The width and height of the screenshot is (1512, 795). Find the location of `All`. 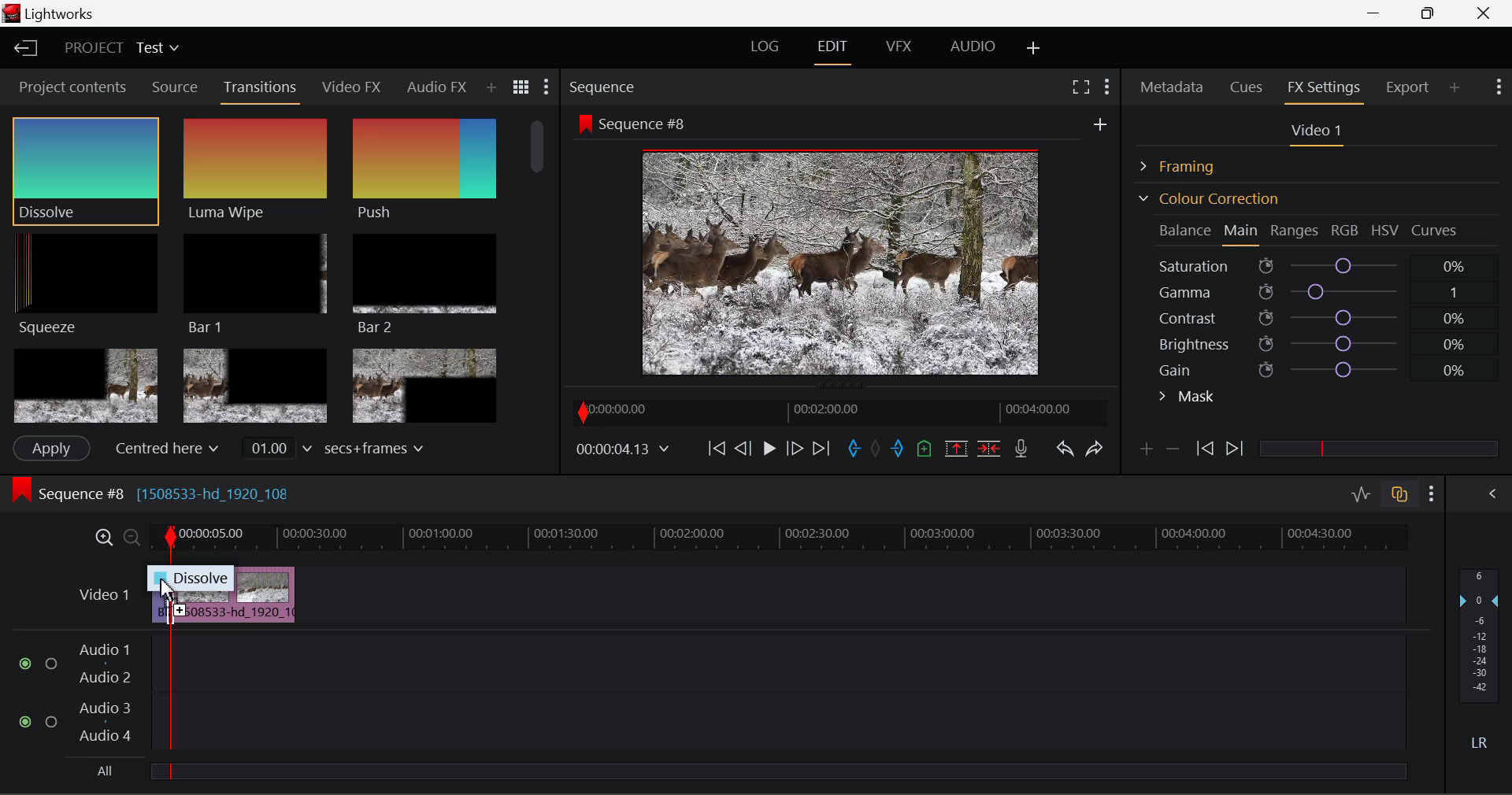

All is located at coordinates (102, 773).